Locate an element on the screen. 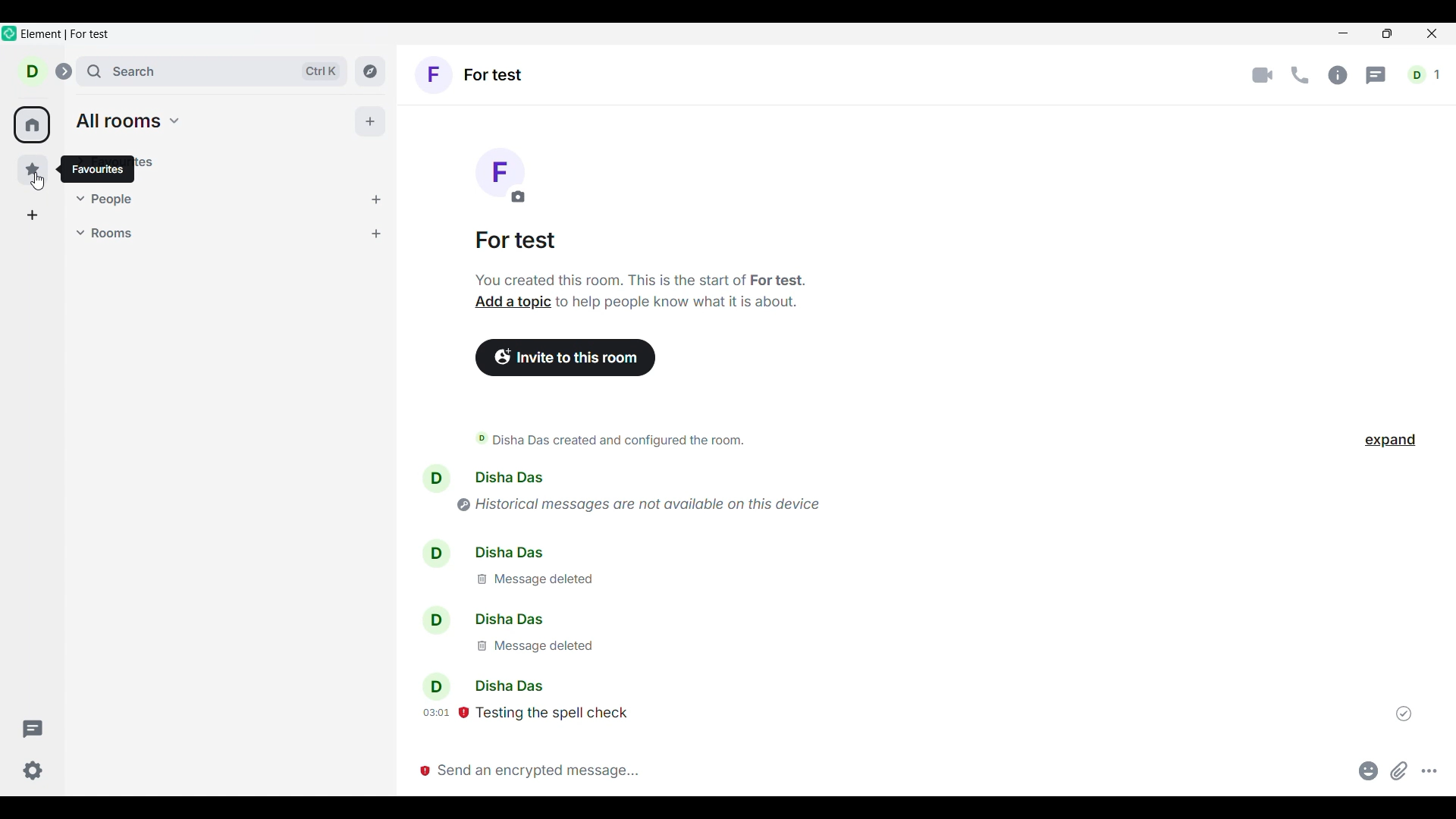 Image resolution: width=1456 pixels, height=819 pixels. Threads is located at coordinates (1376, 76).